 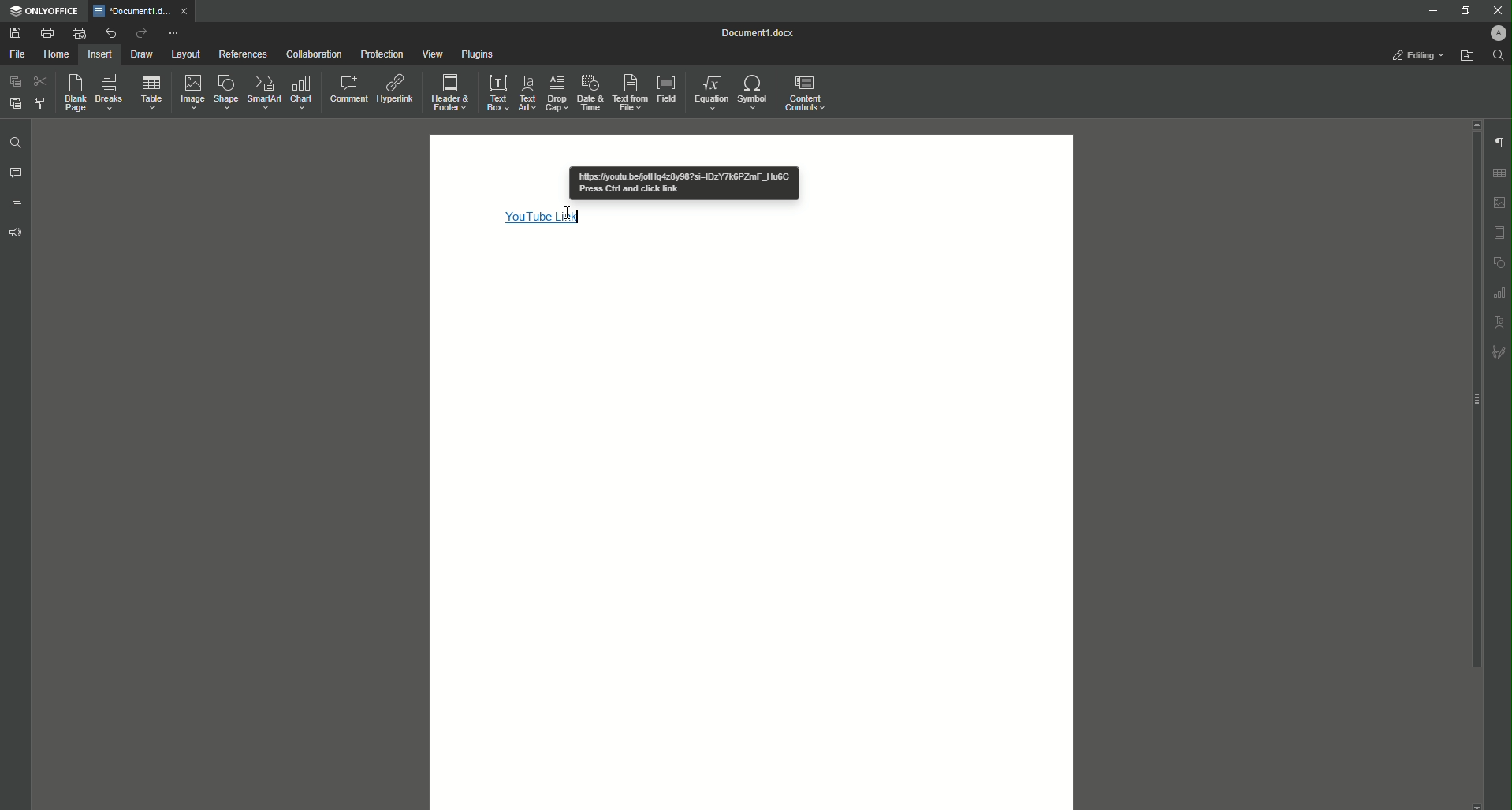 I want to click on Comments, so click(x=16, y=173).